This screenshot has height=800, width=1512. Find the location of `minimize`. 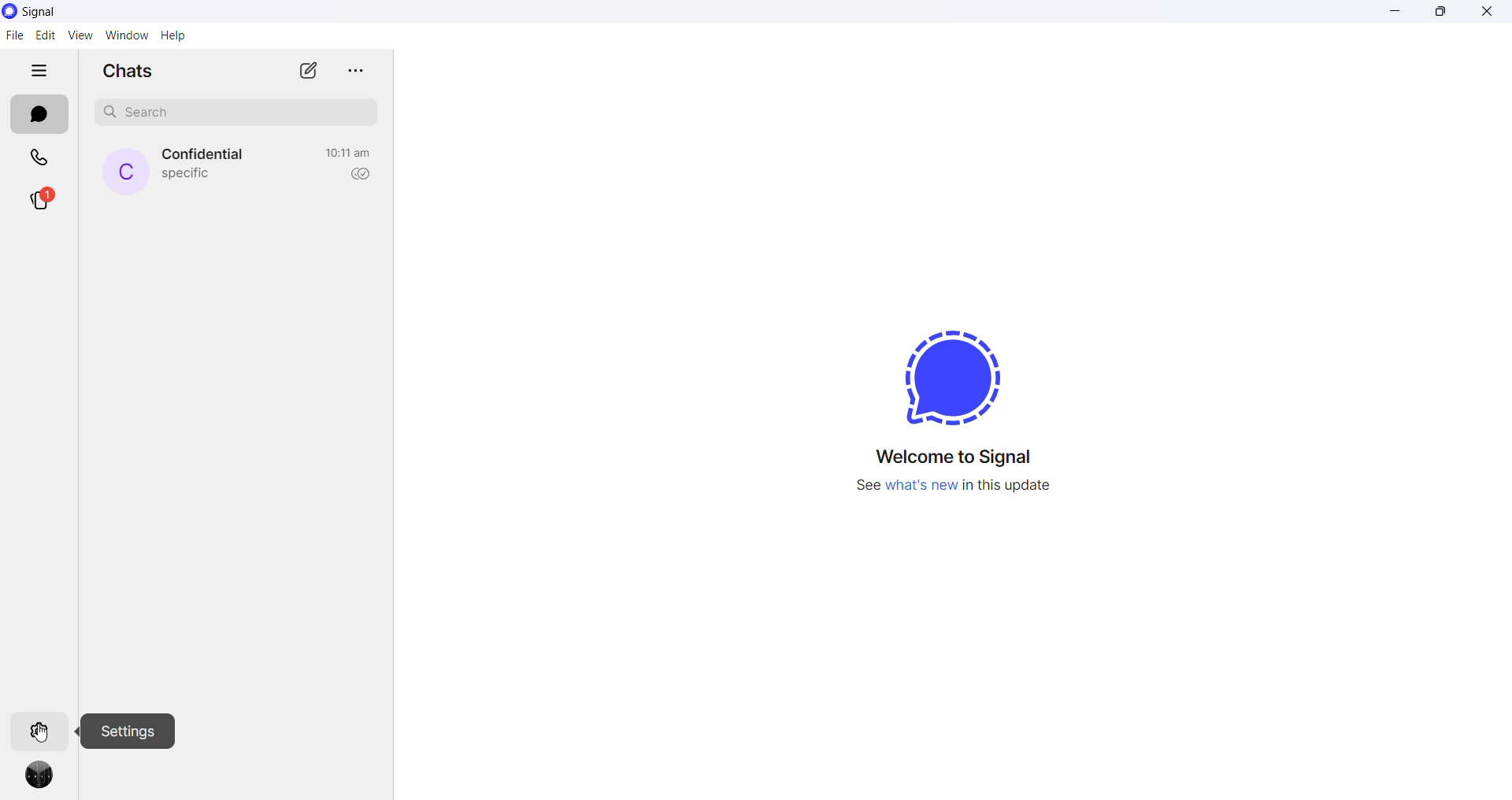

minimize is located at coordinates (1398, 13).